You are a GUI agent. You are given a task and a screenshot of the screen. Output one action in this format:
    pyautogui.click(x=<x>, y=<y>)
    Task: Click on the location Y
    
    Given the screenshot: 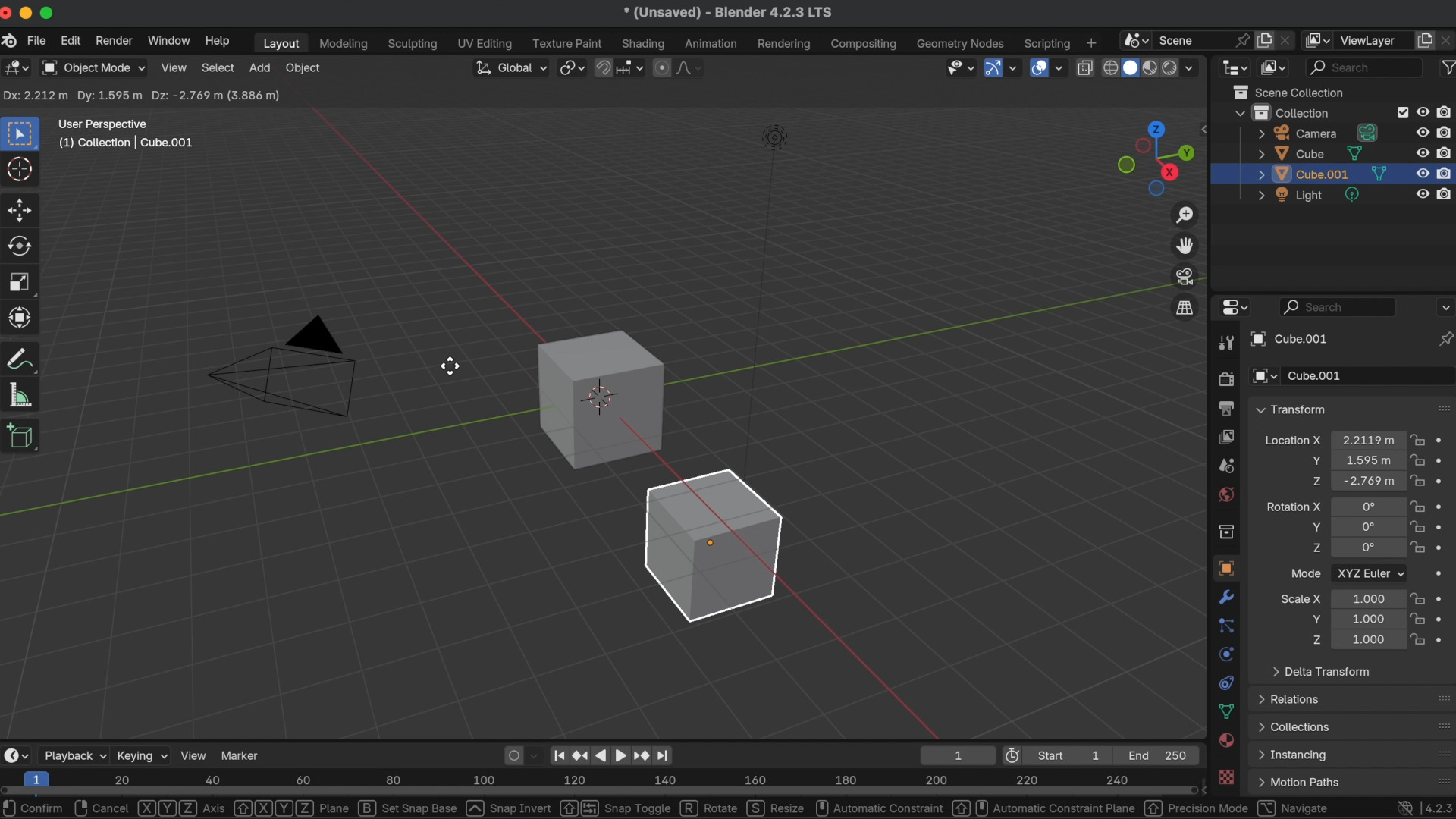 What is the action you would take?
    pyautogui.click(x=1313, y=460)
    